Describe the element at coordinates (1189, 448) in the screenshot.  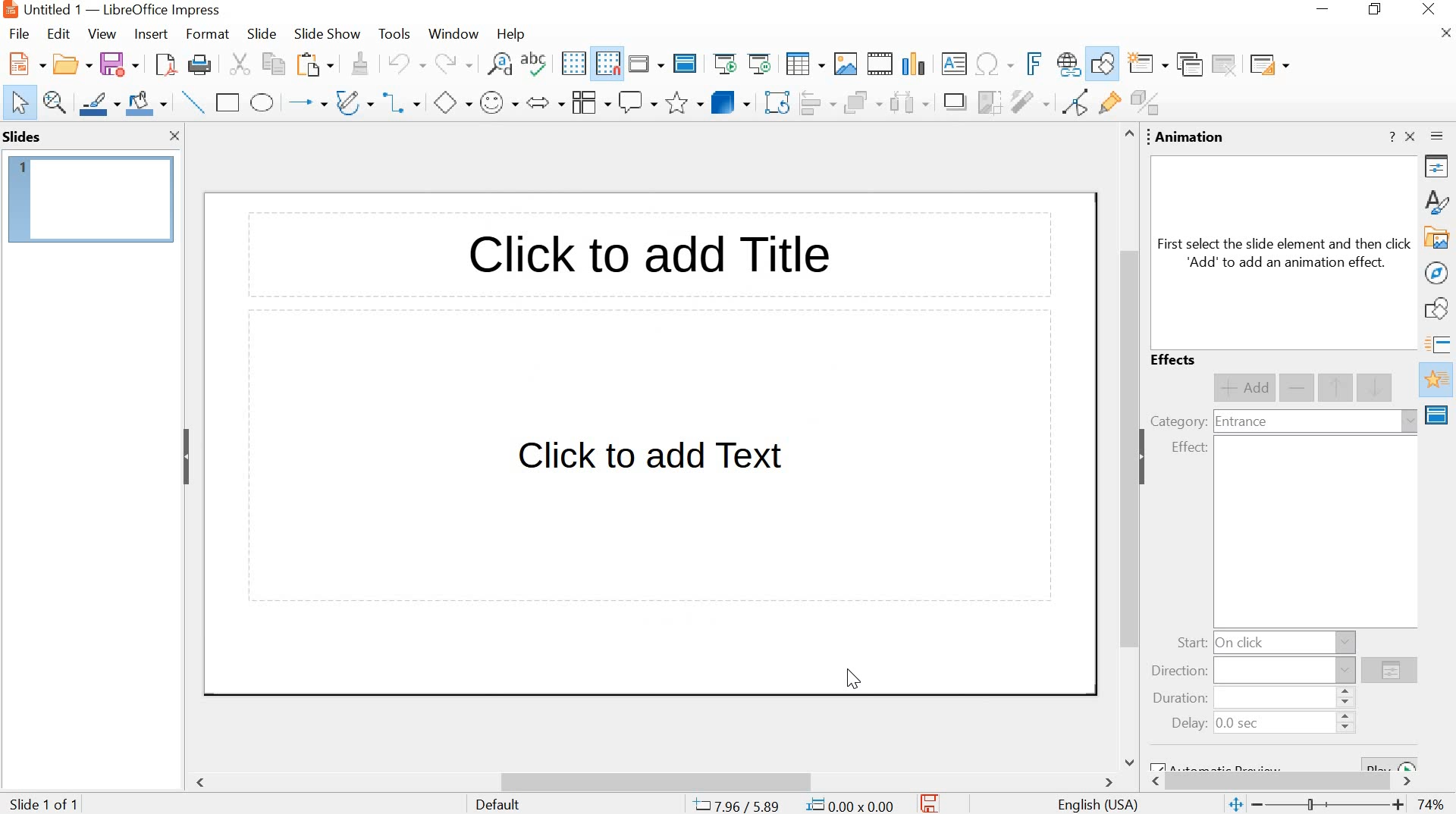
I see `effect` at that location.